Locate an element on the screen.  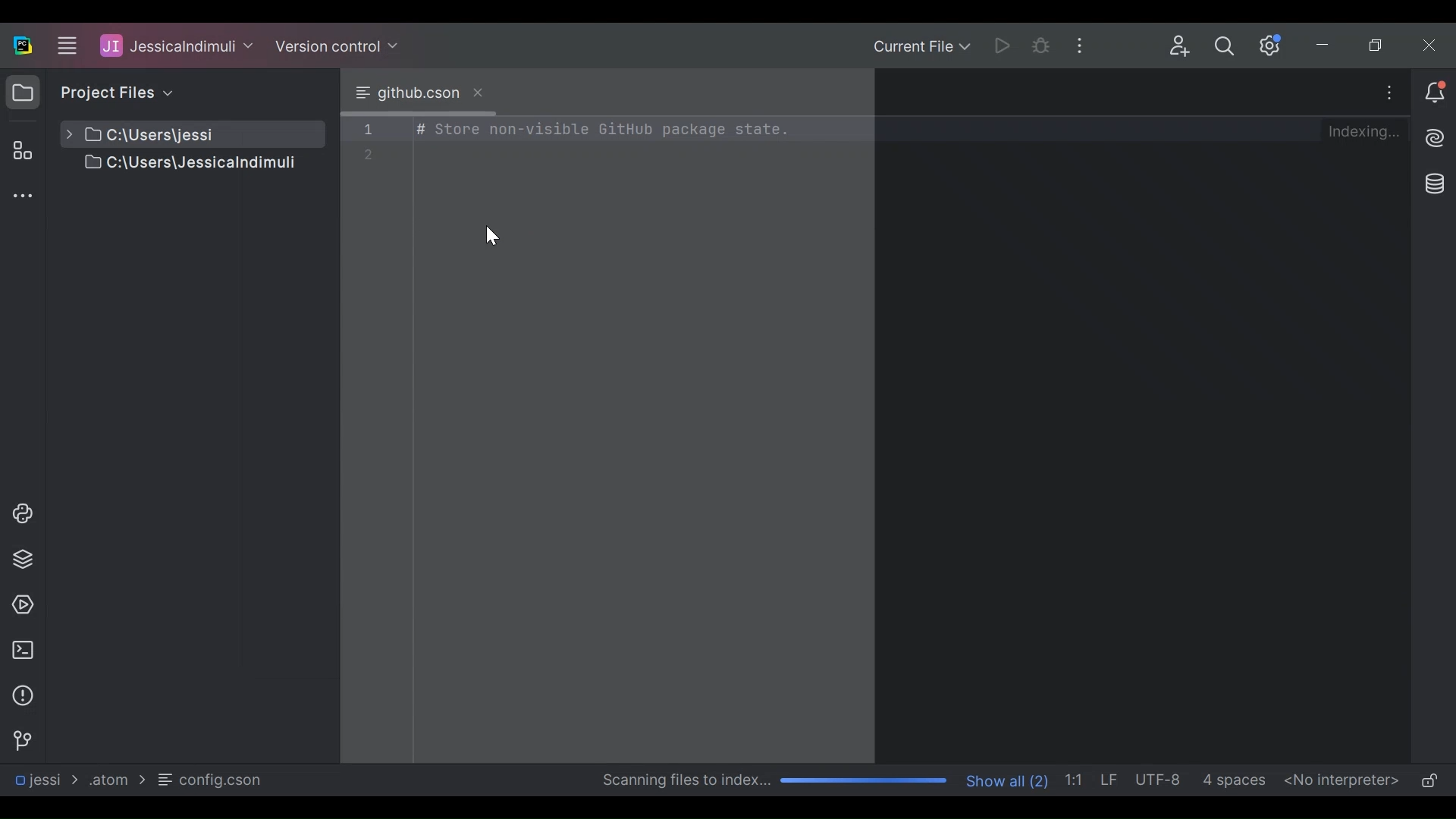
Scanning files to index Progress is located at coordinates (770, 781).